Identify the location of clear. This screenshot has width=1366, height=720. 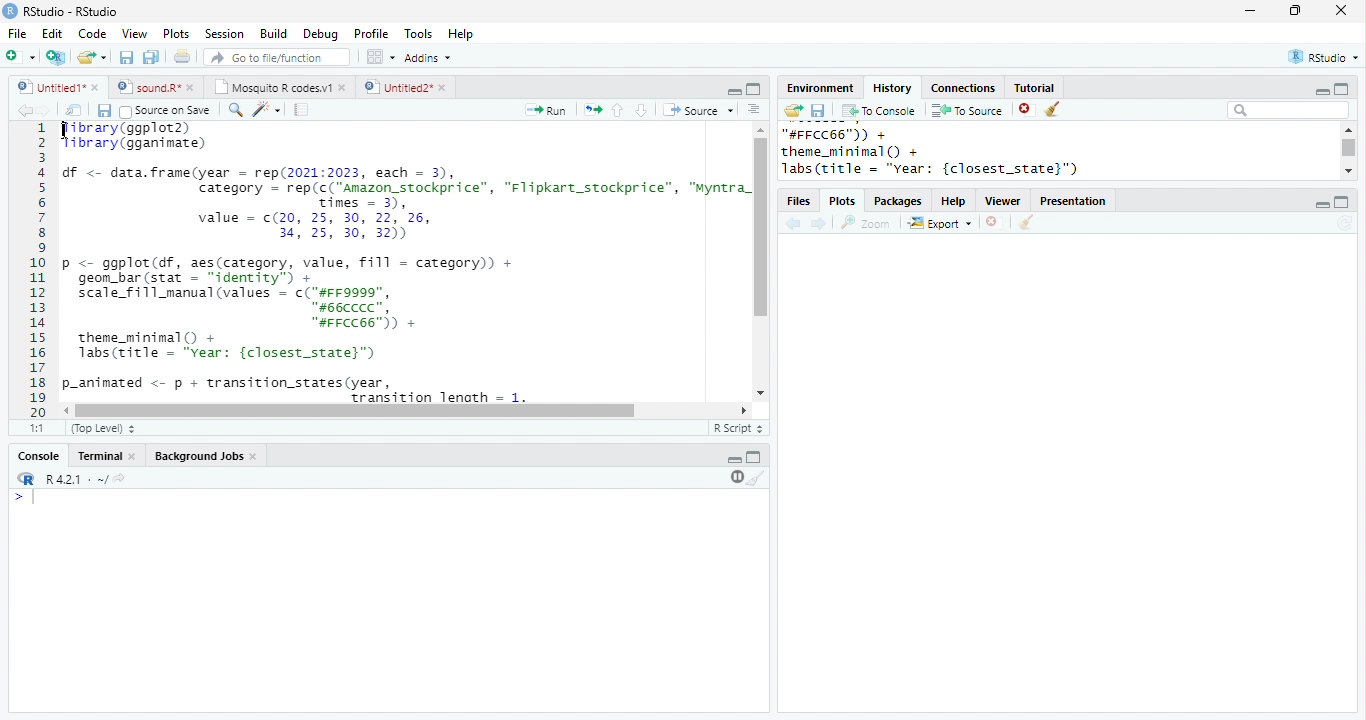
(1027, 222).